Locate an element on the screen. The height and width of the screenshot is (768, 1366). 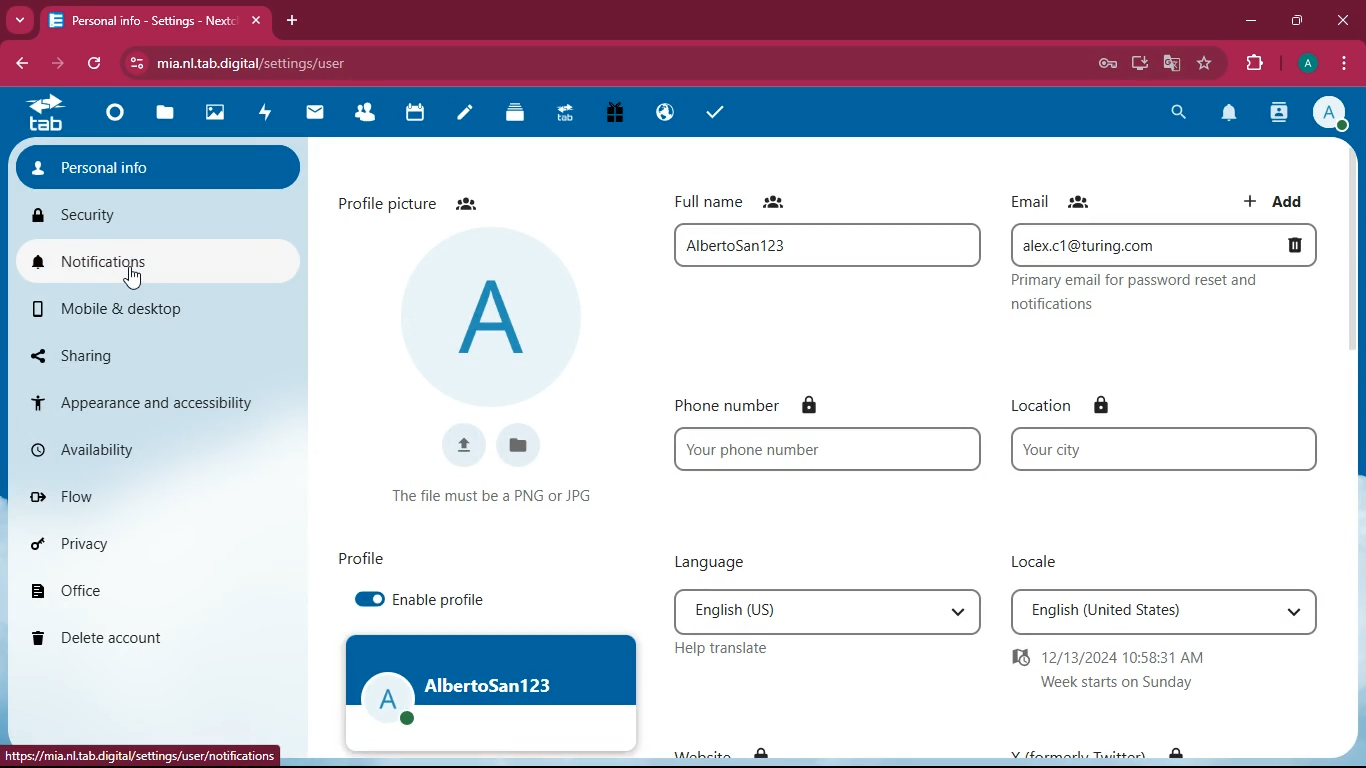
tasks is located at coordinates (712, 112).